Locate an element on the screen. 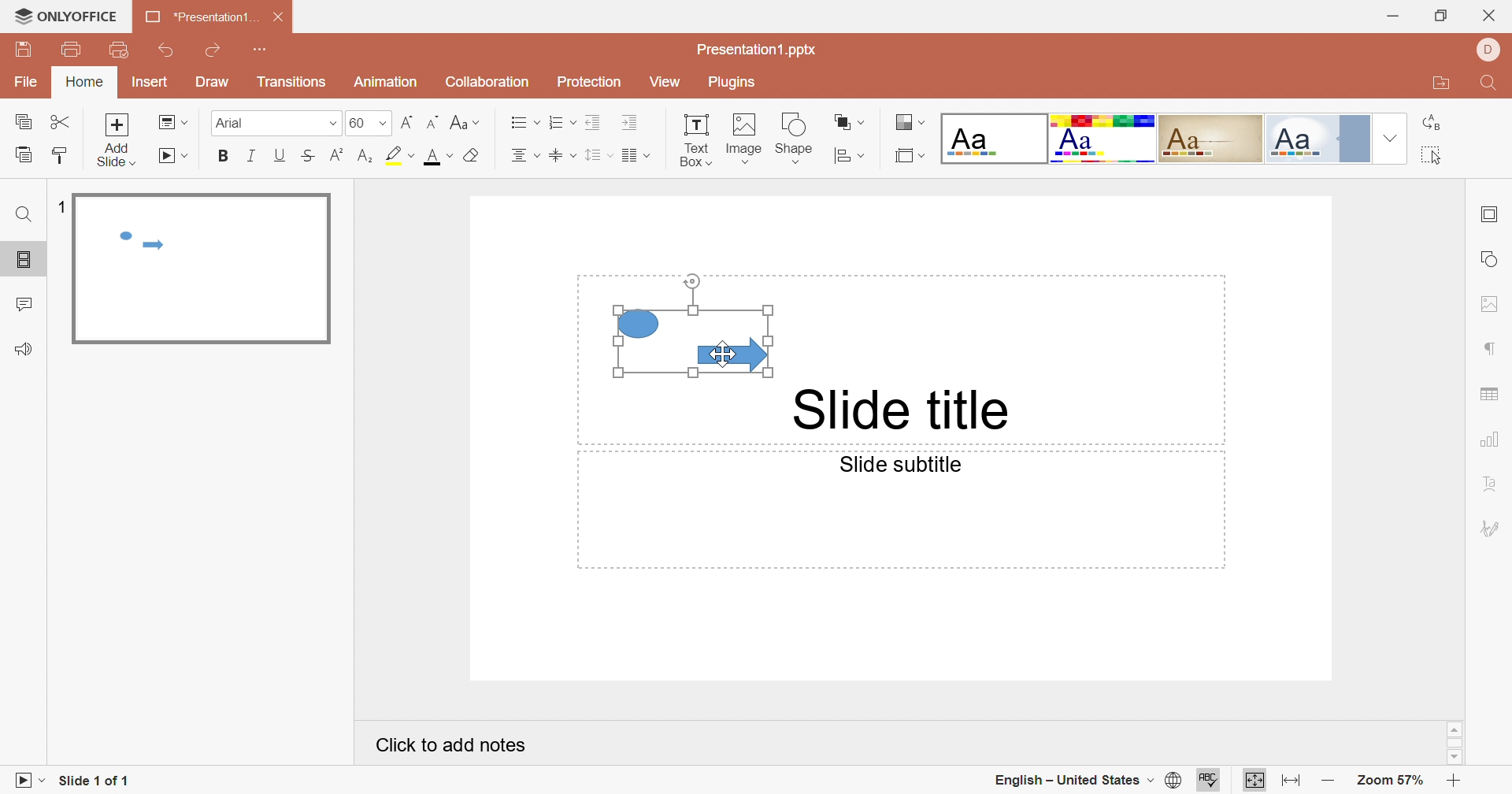 The image size is (1512, 794). 60 is located at coordinates (365, 124).